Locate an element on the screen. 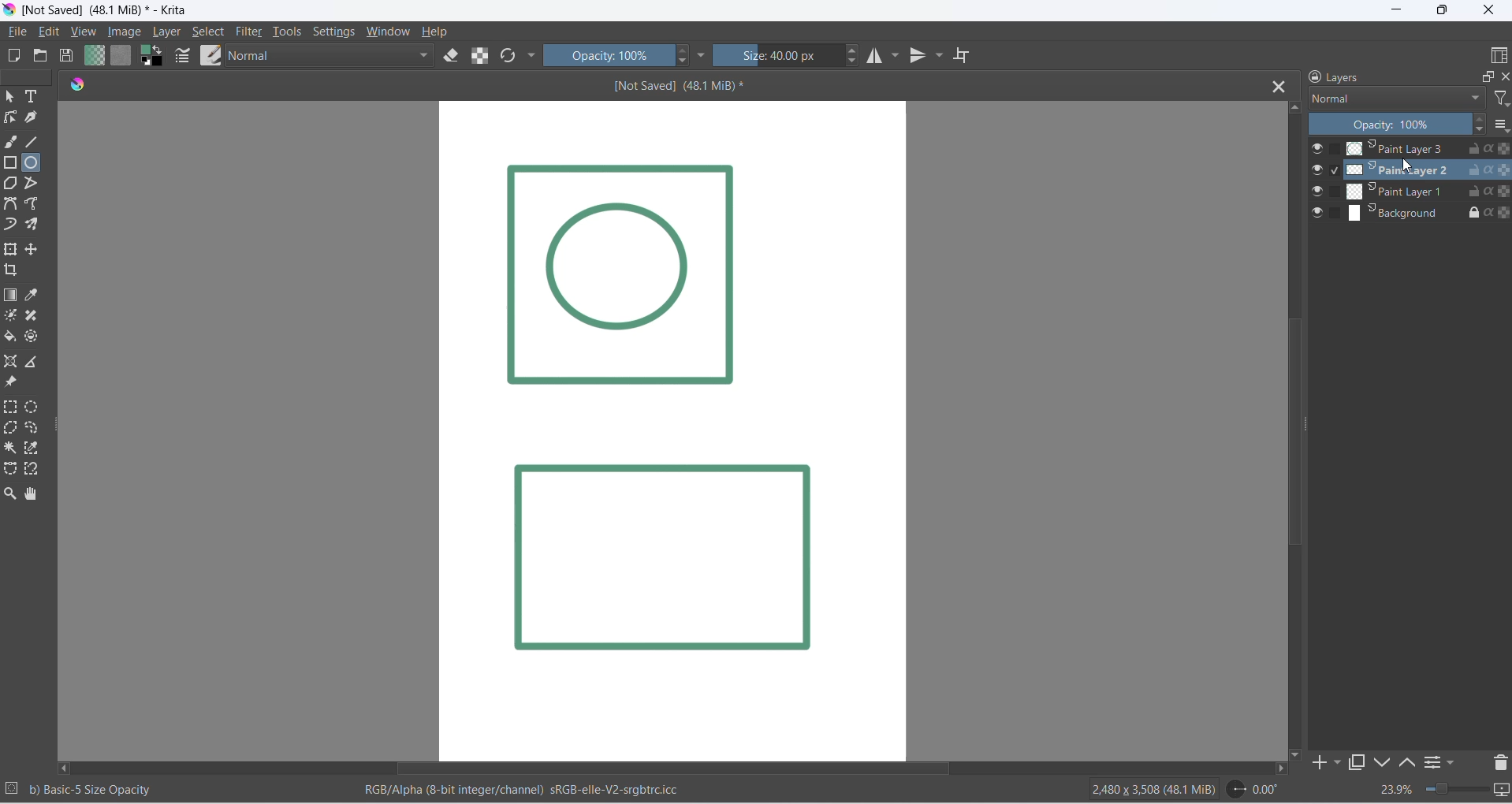 The width and height of the screenshot is (1512, 804). polyline tool is located at coordinates (39, 184).